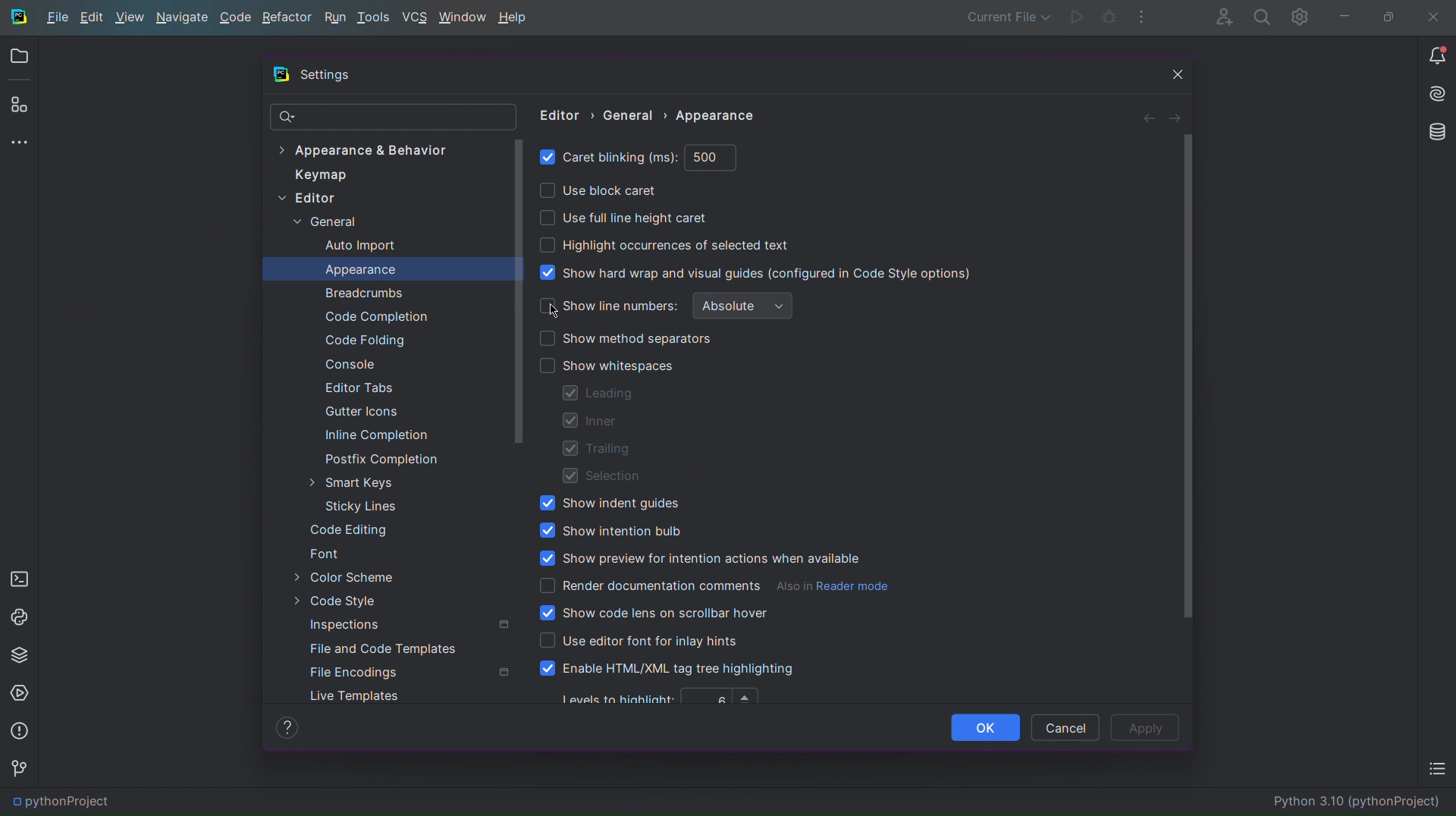 This screenshot has width=1456, height=816. What do you see at coordinates (356, 391) in the screenshot?
I see `Editor Tabs` at bounding box center [356, 391].